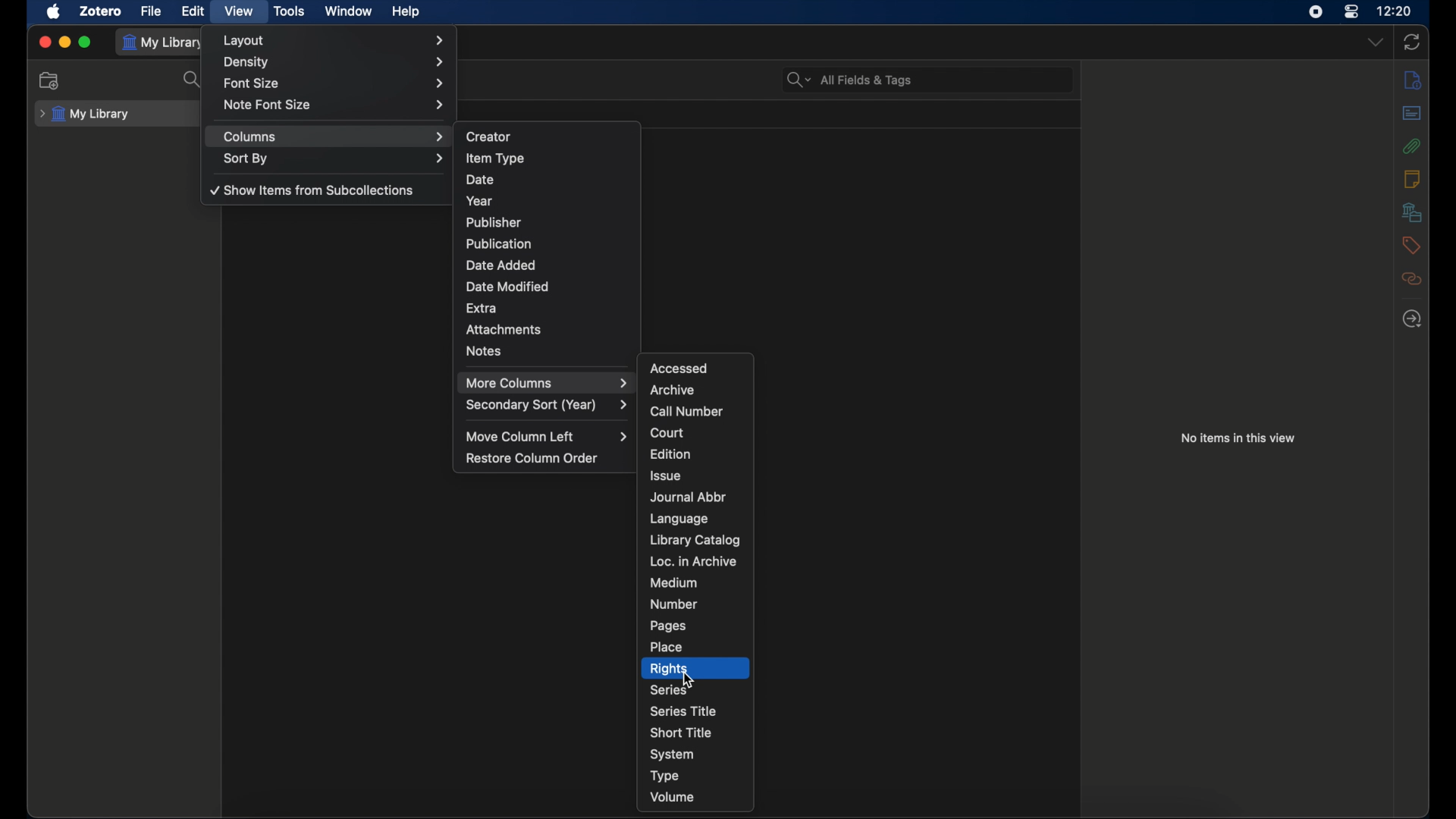 The width and height of the screenshot is (1456, 819). I want to click on relate, so click(1411, 278).